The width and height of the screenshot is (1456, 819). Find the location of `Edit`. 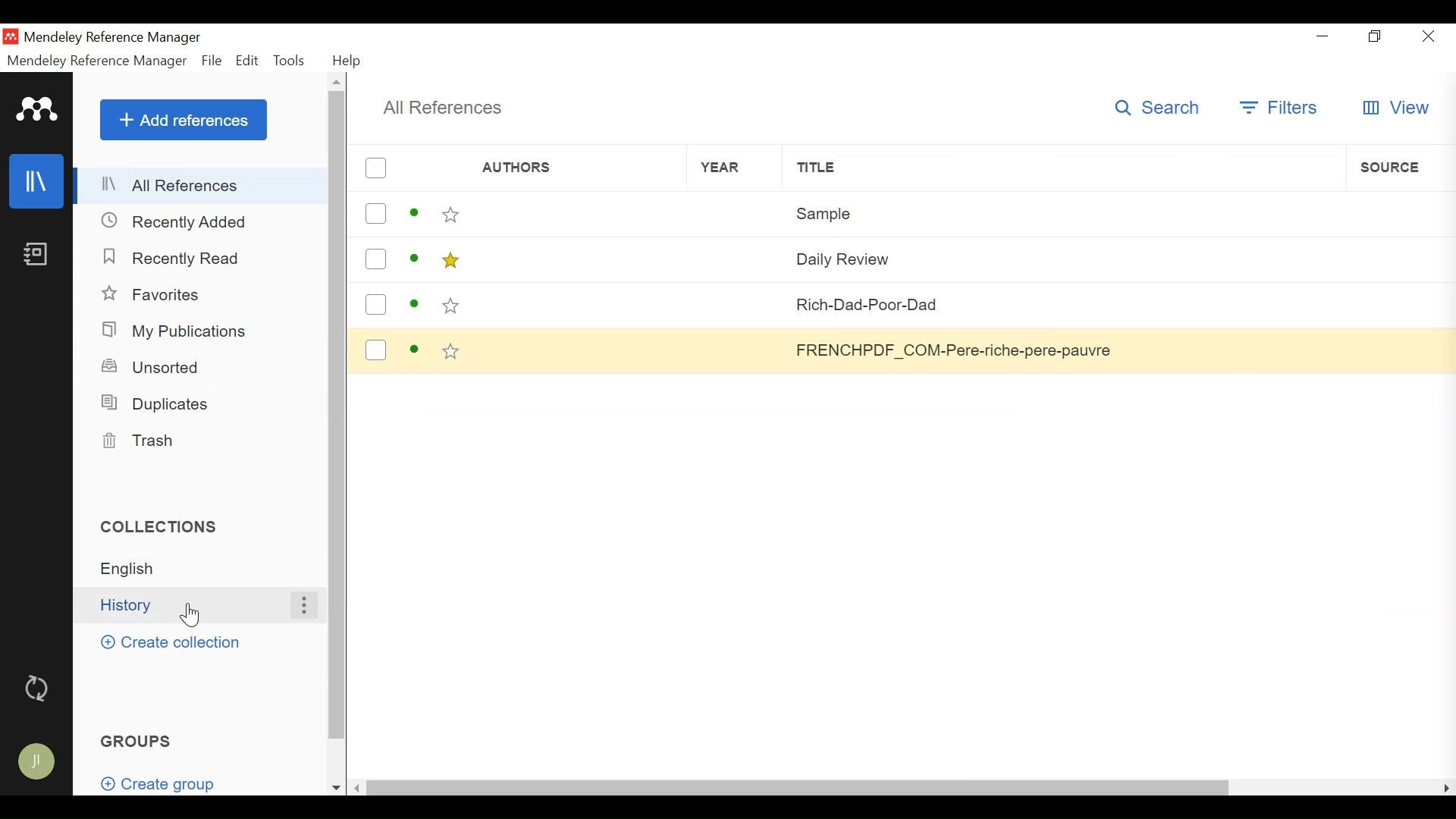

Edit is located at coordinates (248, 61).